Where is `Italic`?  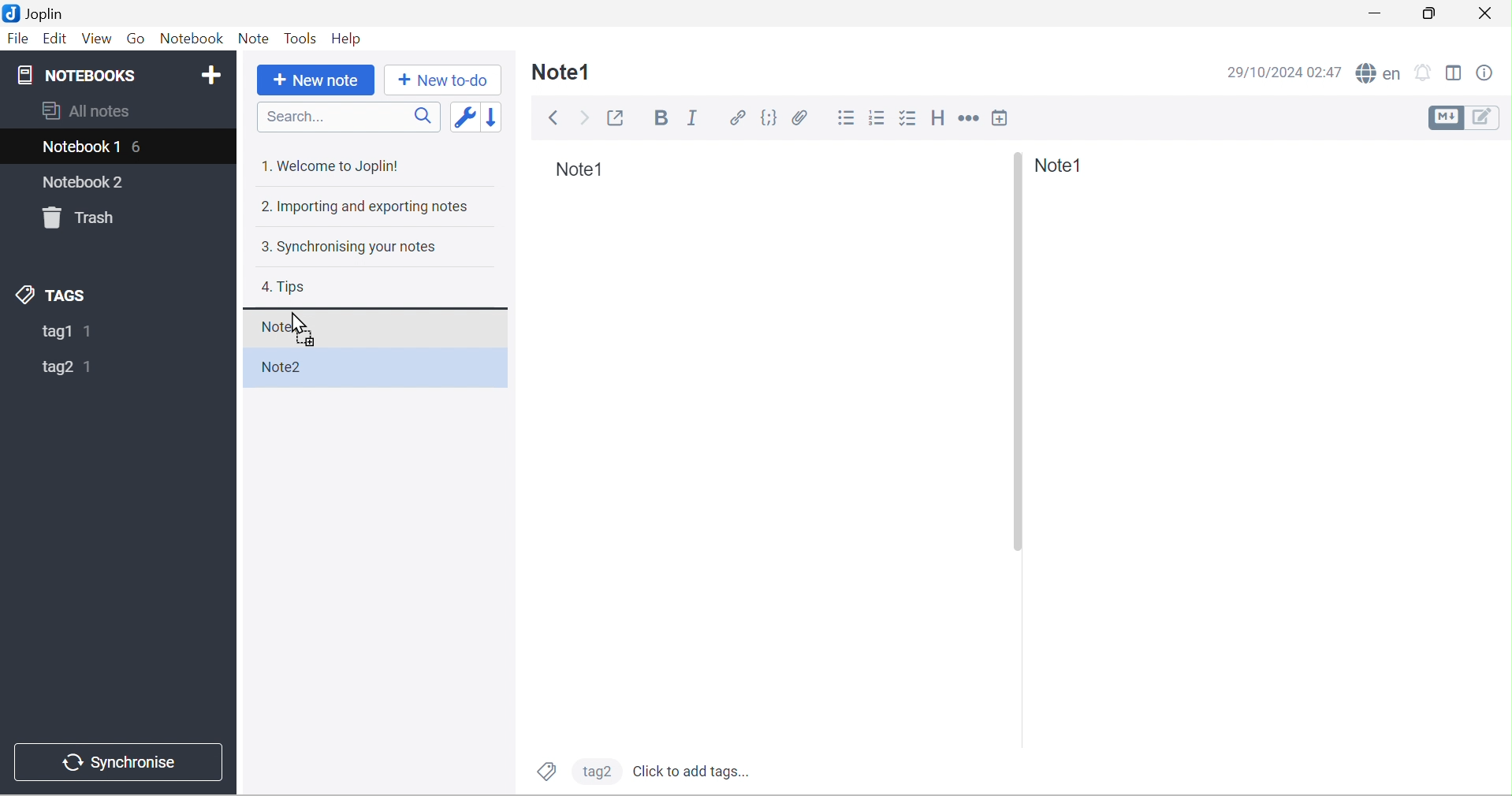 Italic is located at coordinates (696, 118).